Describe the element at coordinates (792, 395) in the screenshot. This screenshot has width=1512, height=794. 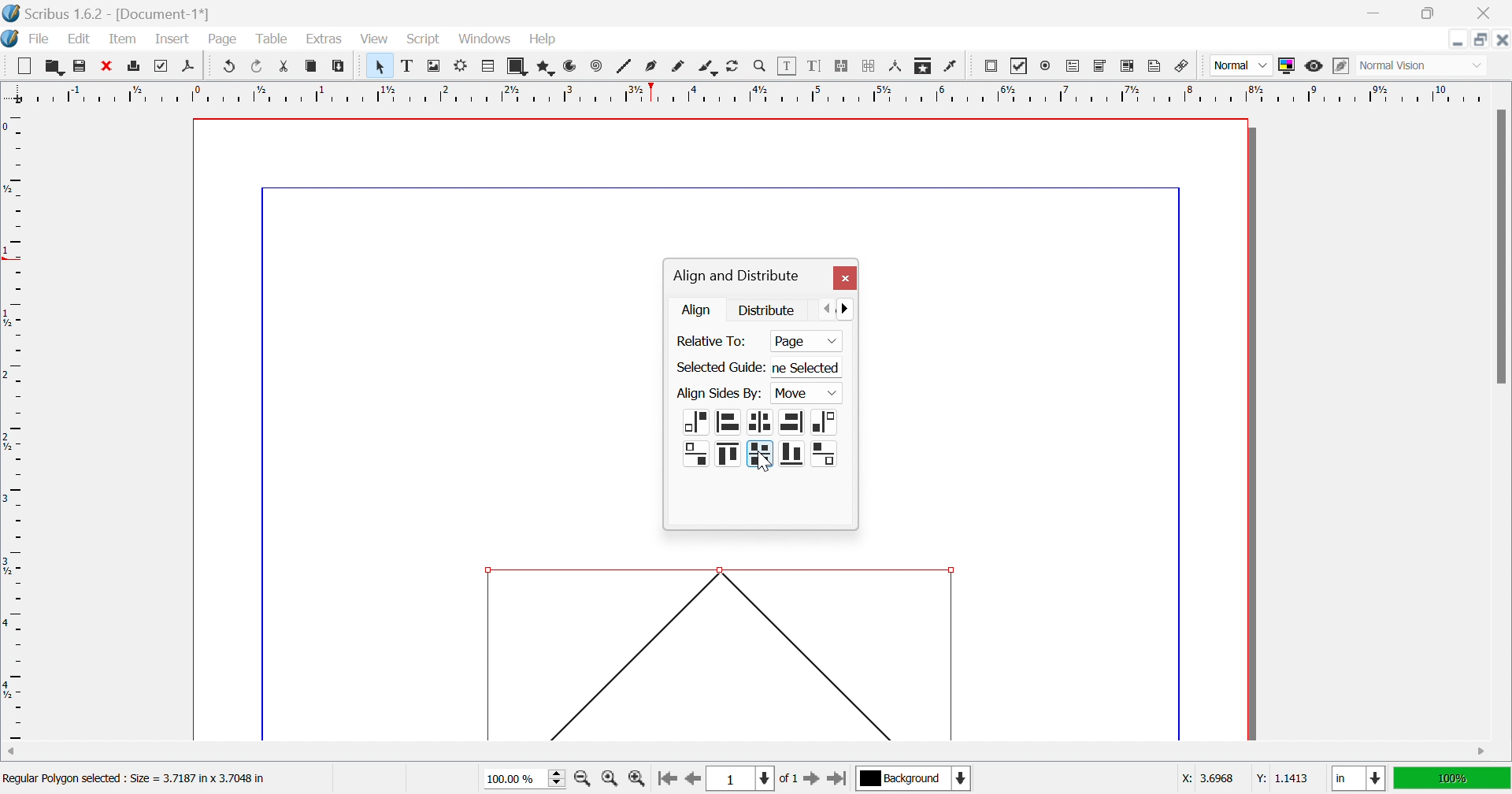
I see `Page` at that location.